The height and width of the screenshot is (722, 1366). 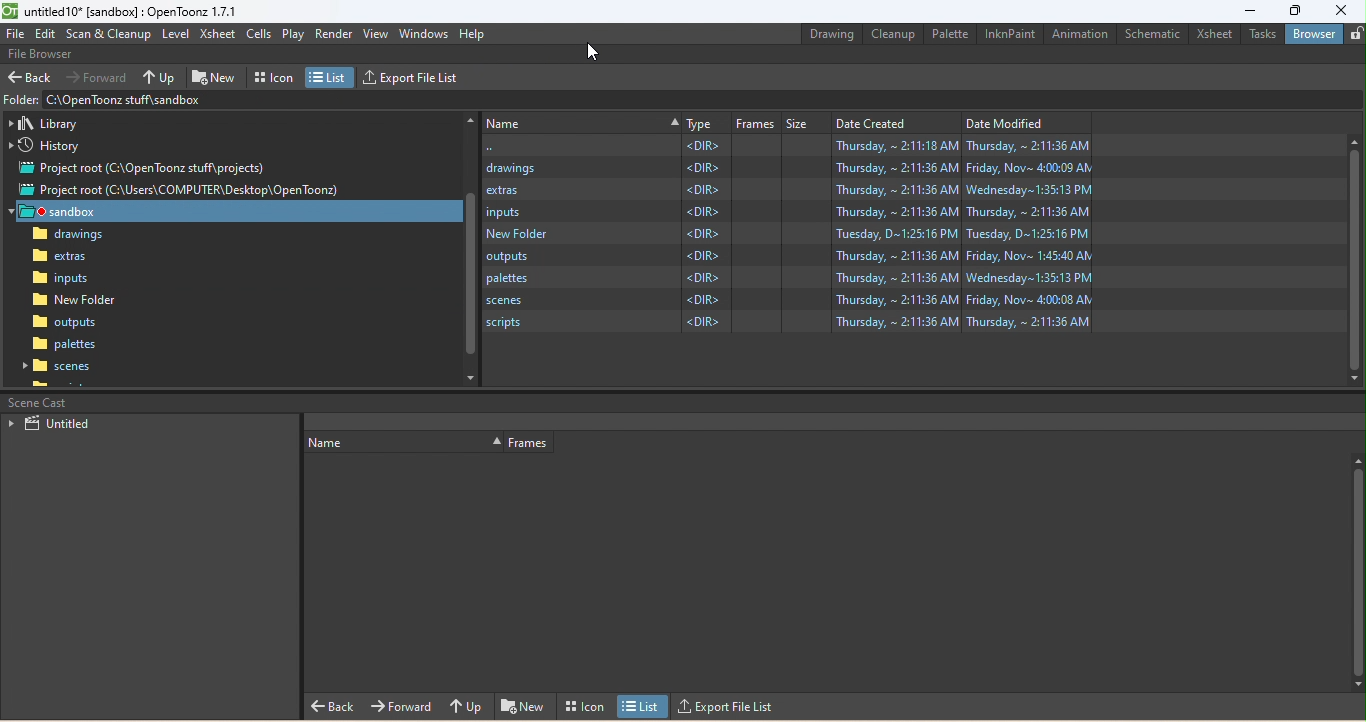 What do you see at coordinates (177, 35) in the screenshot?
I see `Level` at bounding box center [177, 35].